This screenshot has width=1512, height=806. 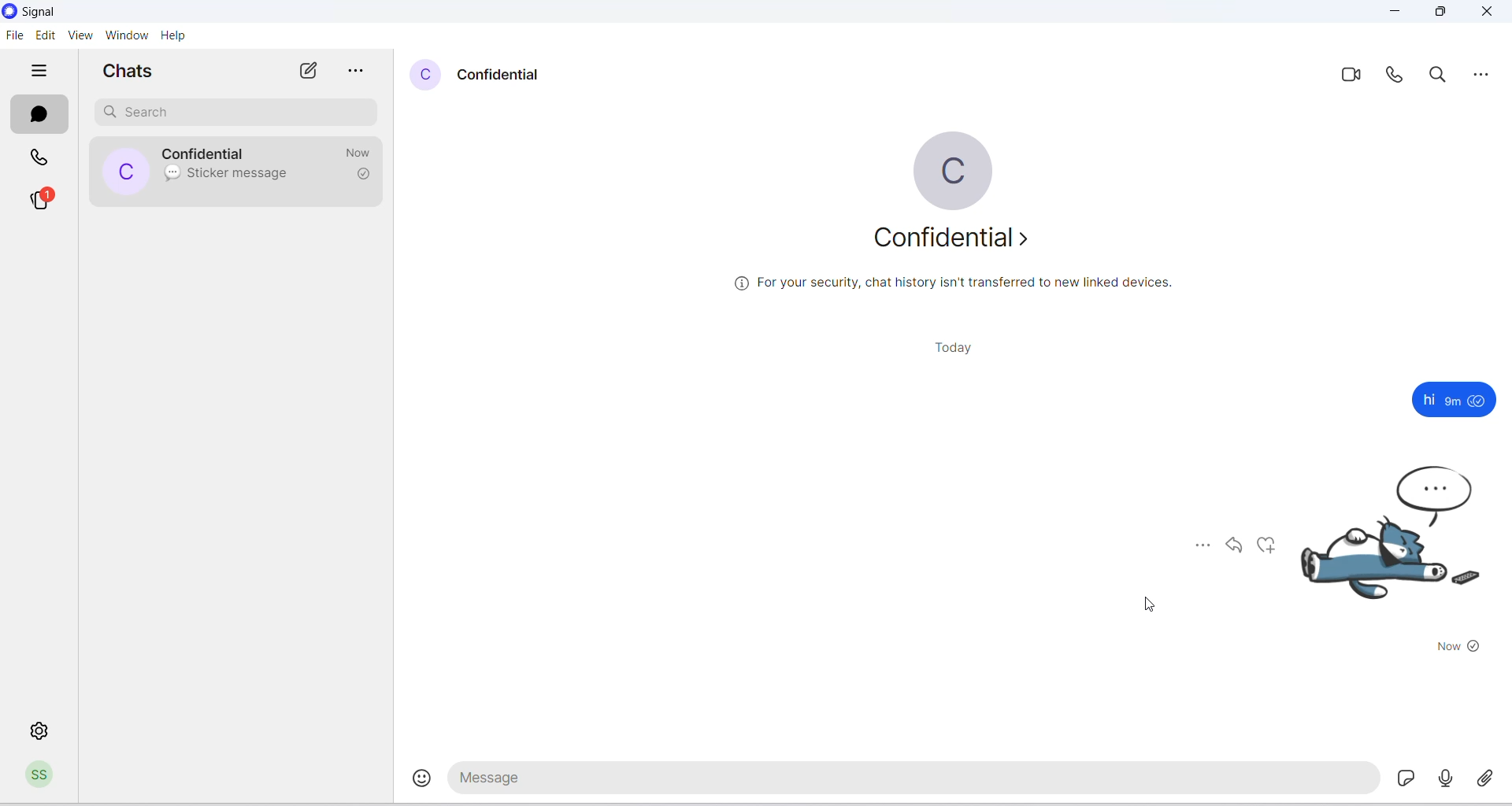 I want to click on Now, so click(x=1444, y=648).